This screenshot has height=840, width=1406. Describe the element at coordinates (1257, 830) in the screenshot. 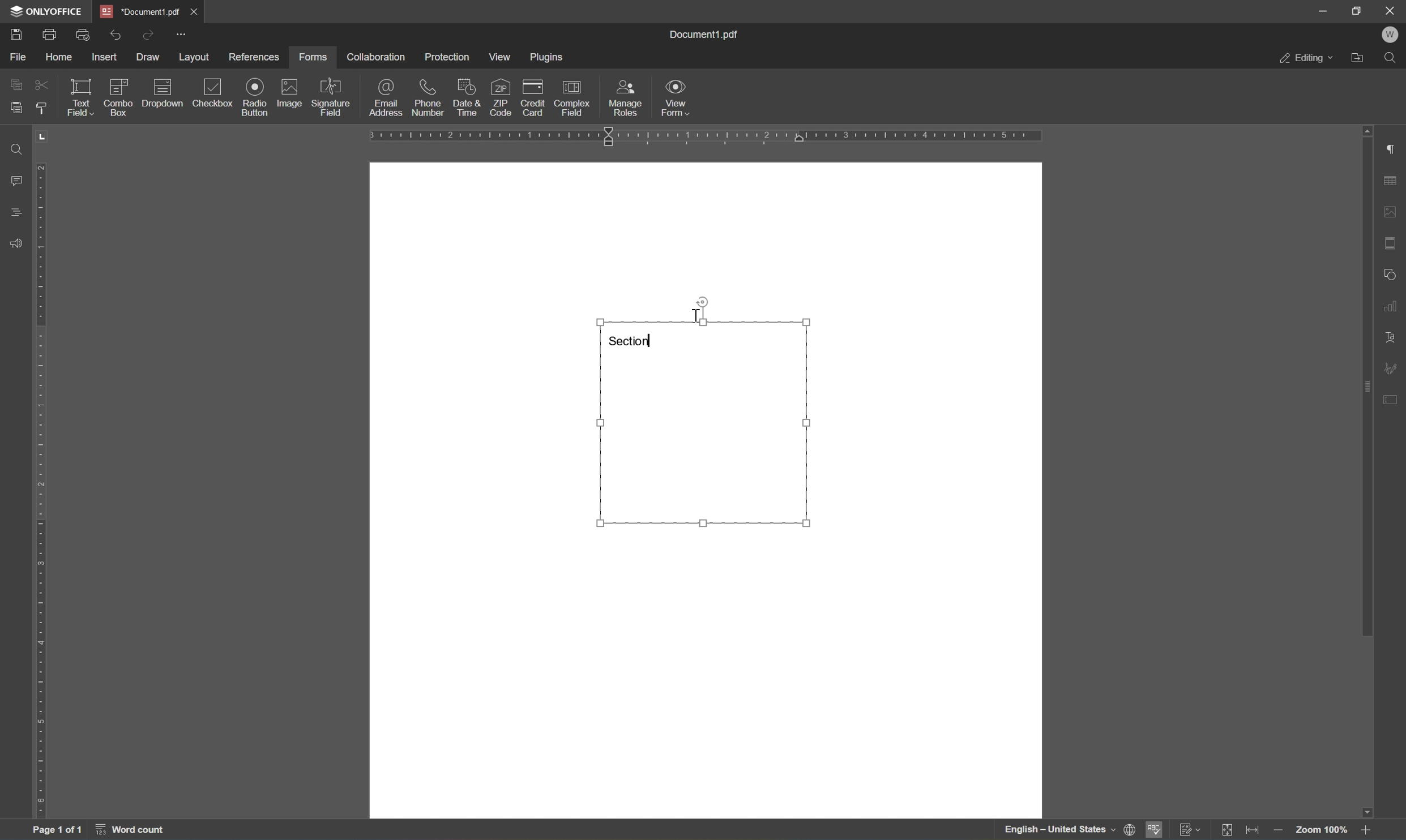

I see `fit to width` at that location.